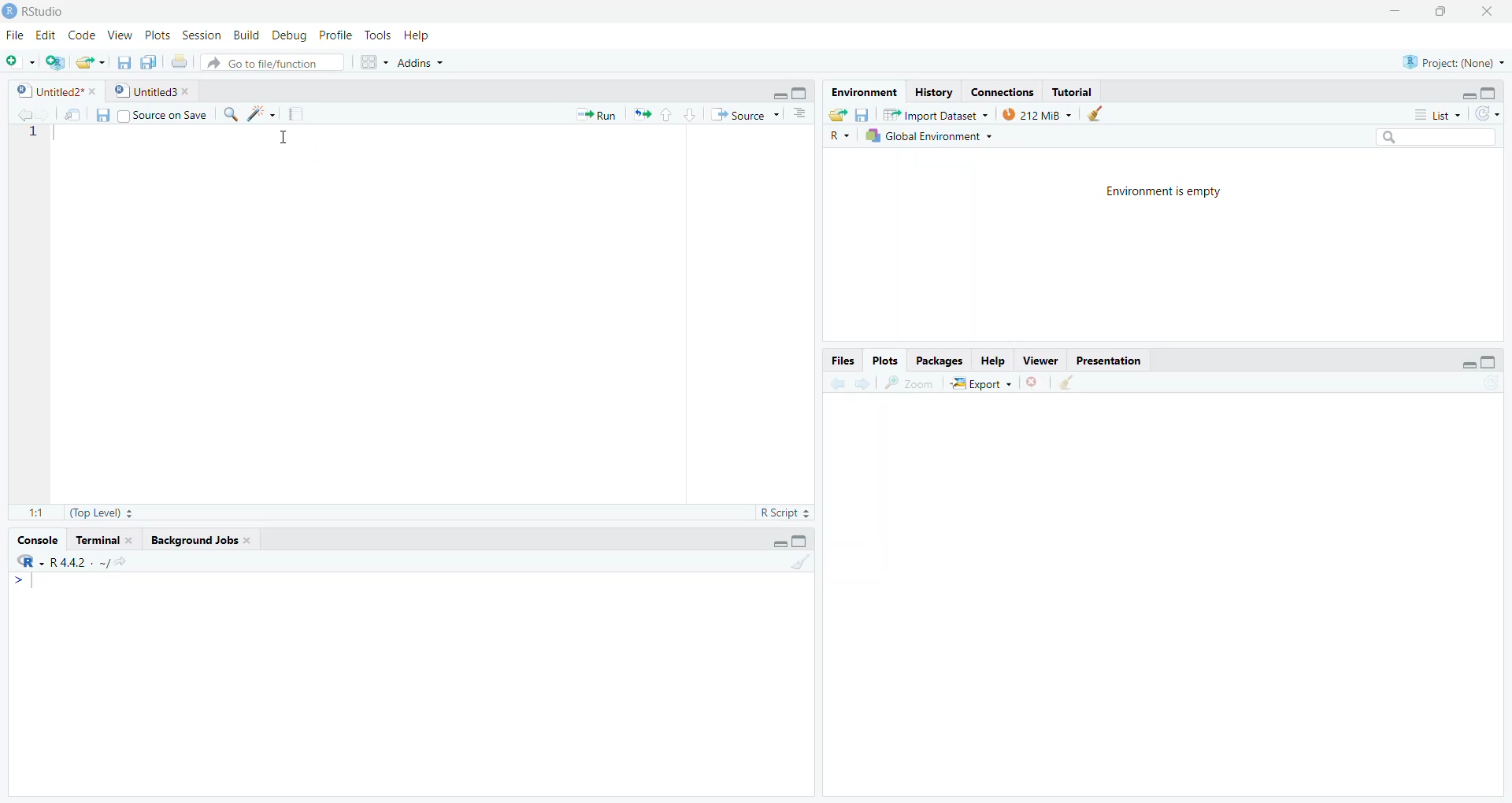  Describe the element at coordinates (1495, 94) in the screenshot. I see `maximize` at that location.